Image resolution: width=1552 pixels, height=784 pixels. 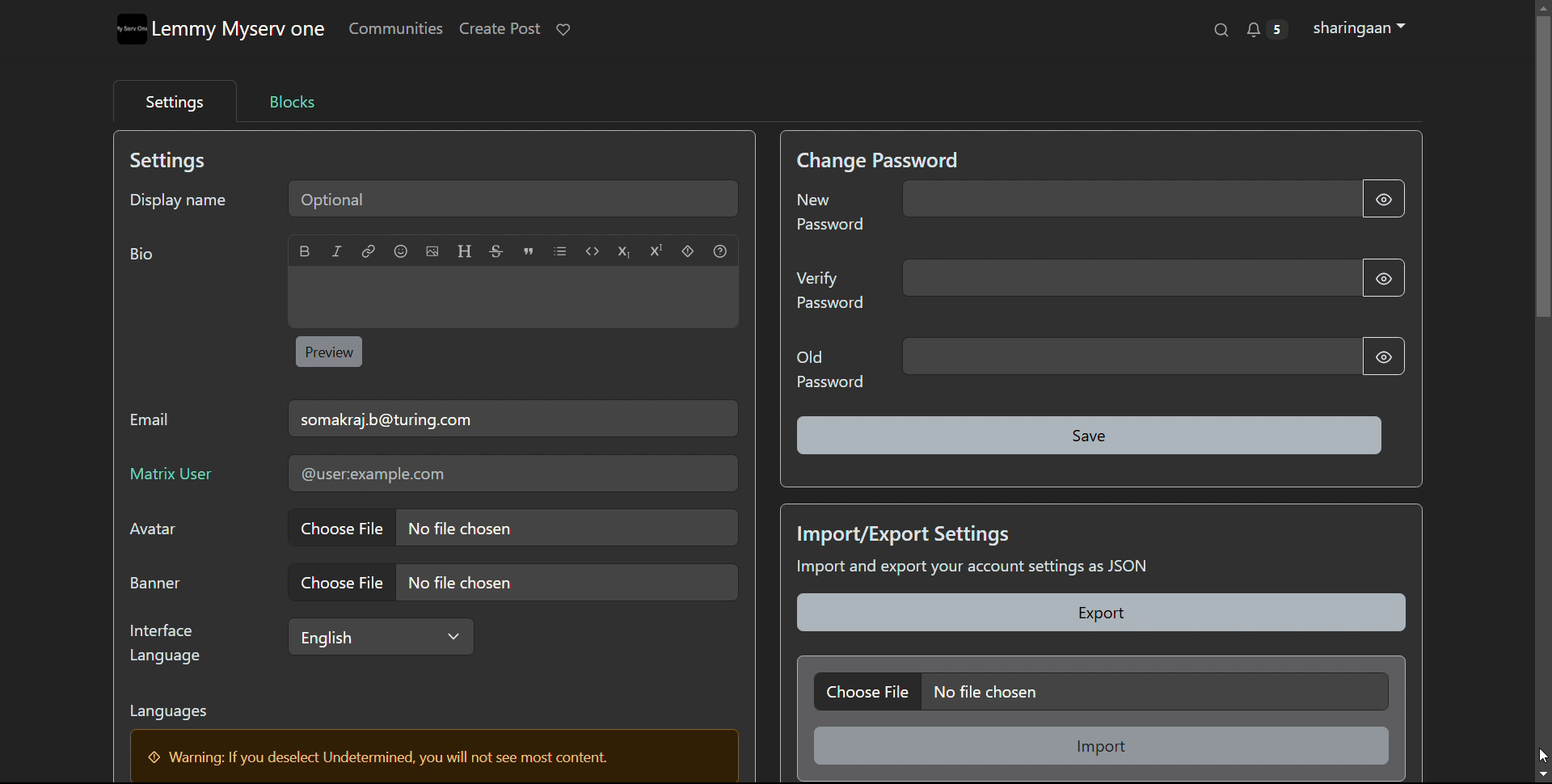 I want to click on strikethrough, so click(x=495, y=251).